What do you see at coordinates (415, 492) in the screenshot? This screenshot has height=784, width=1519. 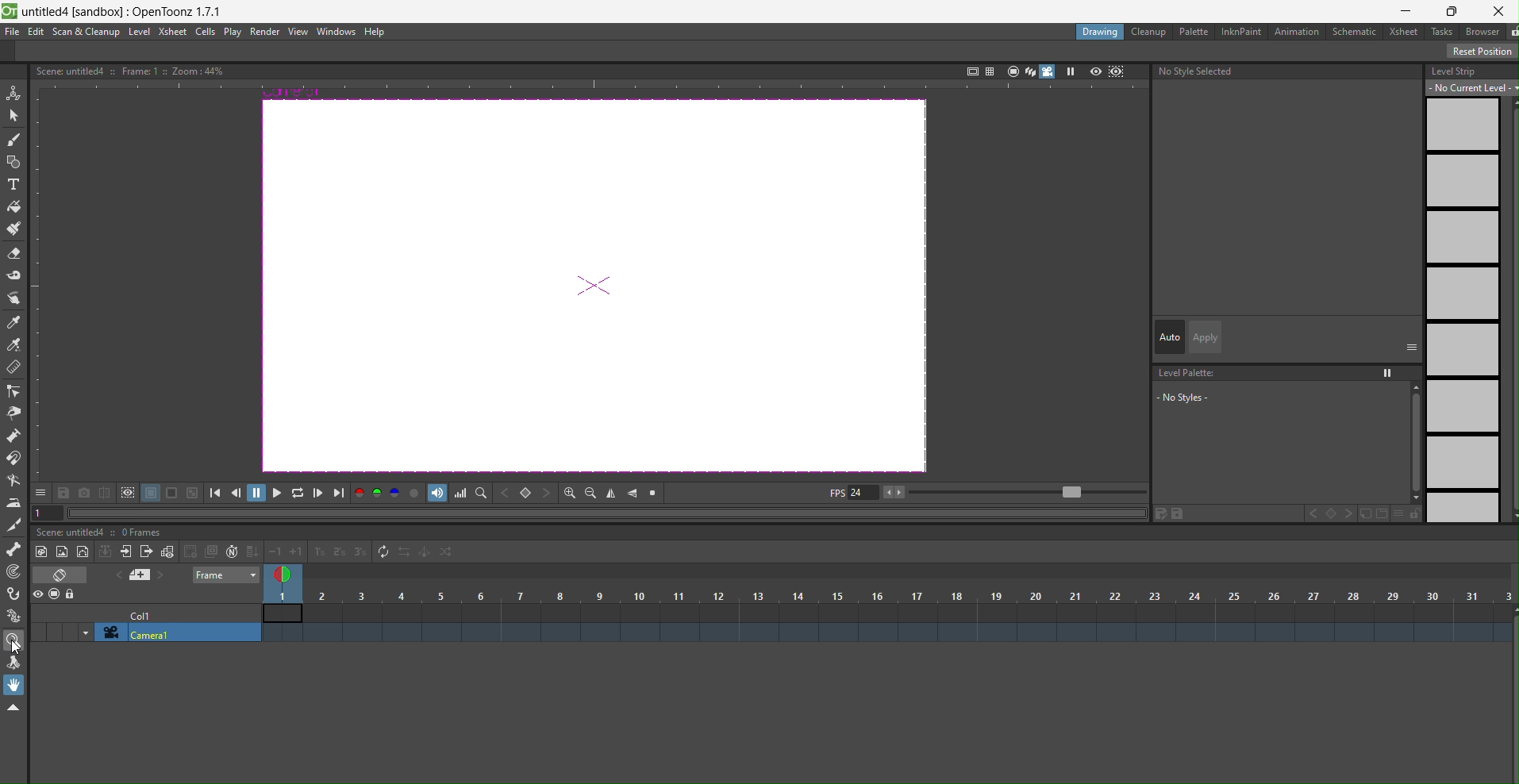 I see `` at bounding box center [415, 492].